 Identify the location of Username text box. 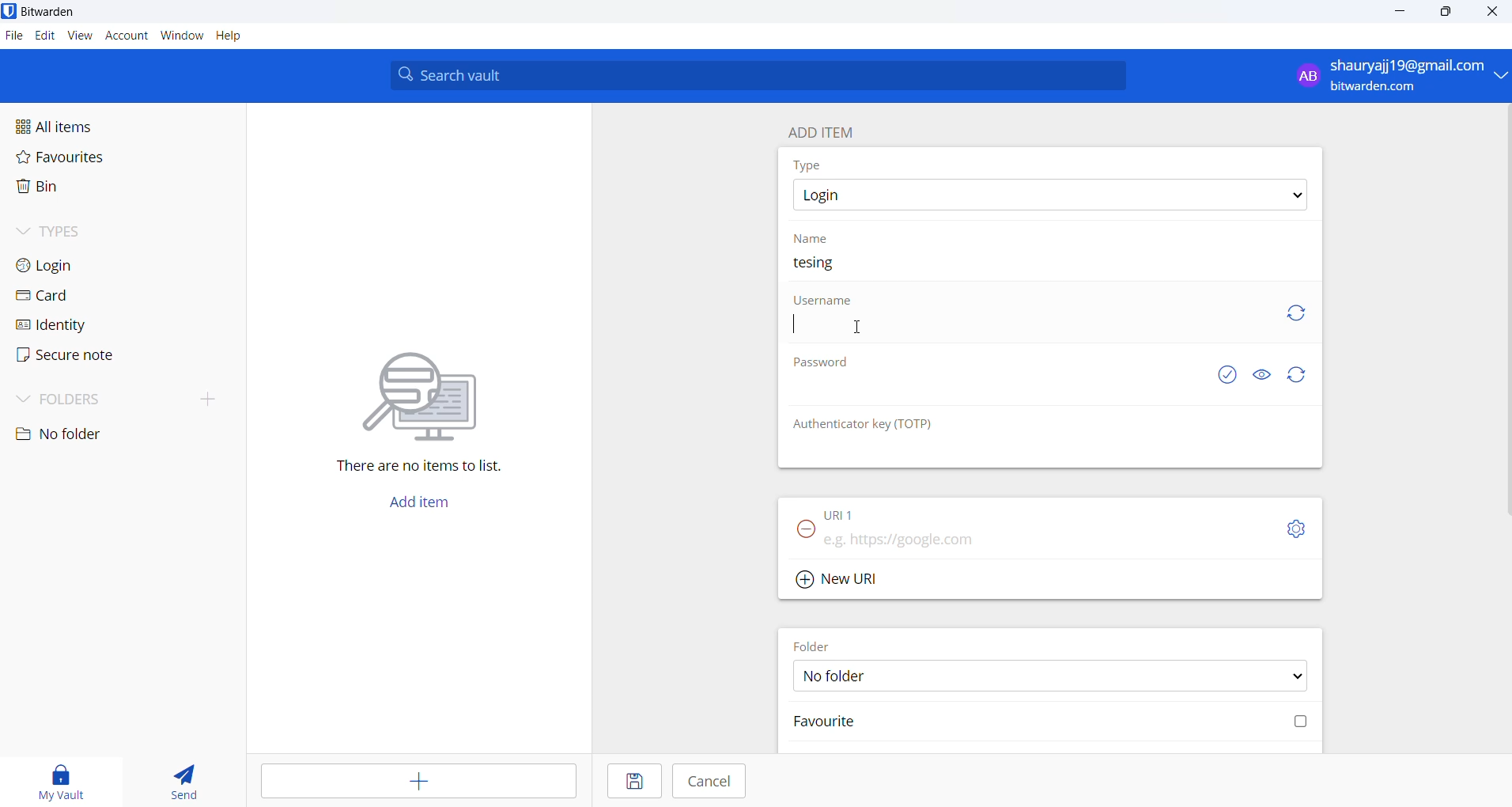
(1021, 329).